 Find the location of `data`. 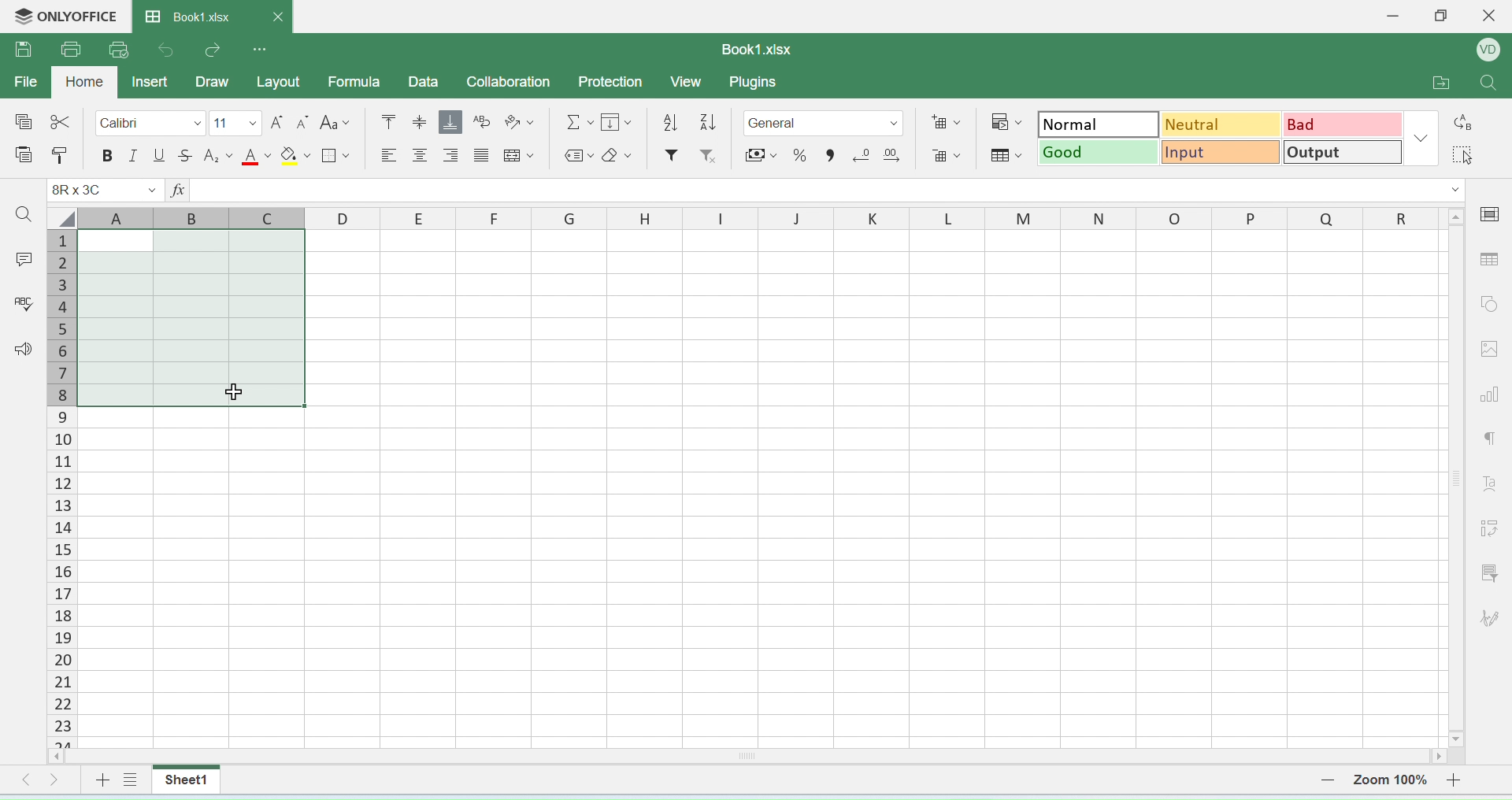

data is located at coordinates (422, 81).